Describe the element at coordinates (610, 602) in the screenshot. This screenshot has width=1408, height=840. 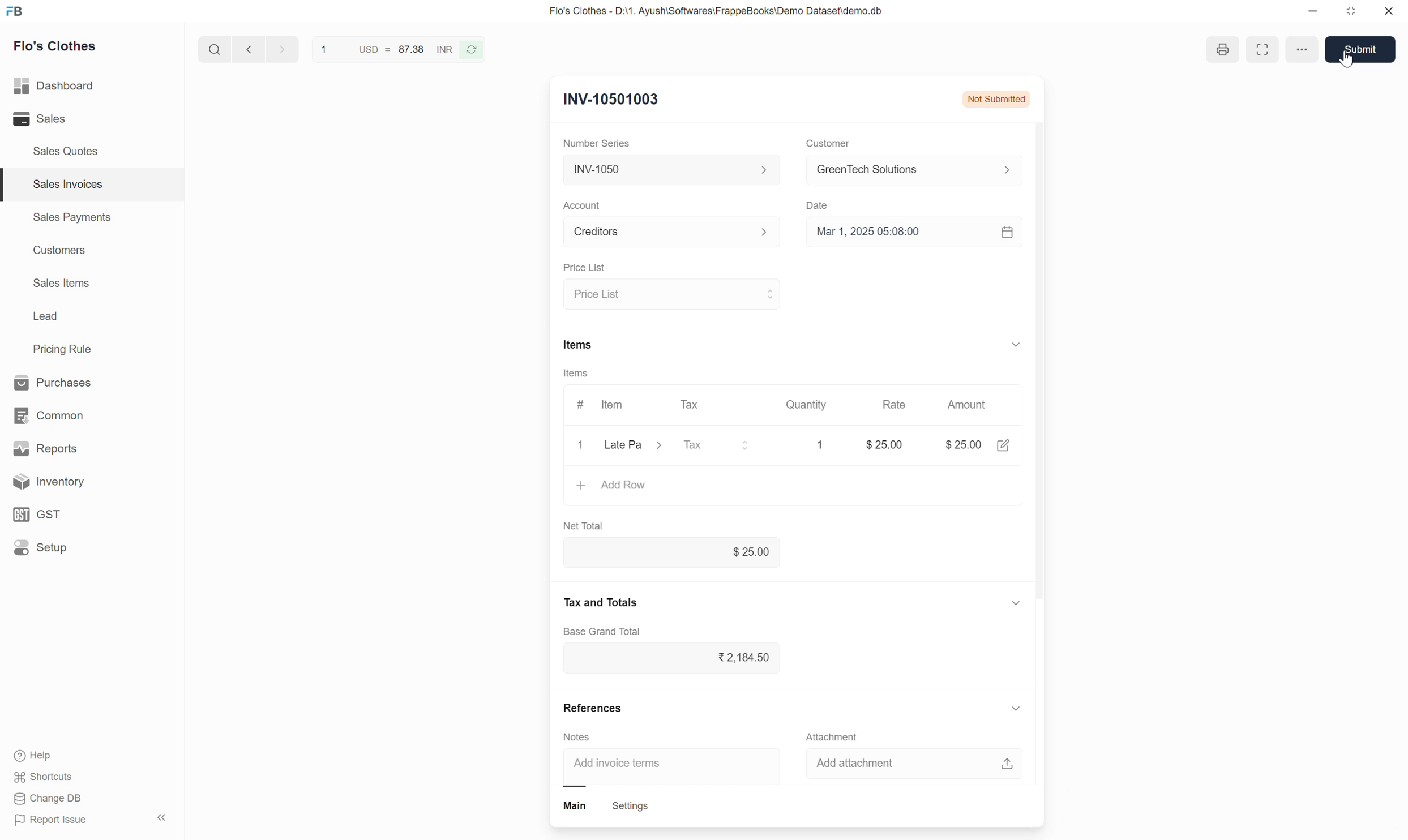
I see `tax and totals` at that location.